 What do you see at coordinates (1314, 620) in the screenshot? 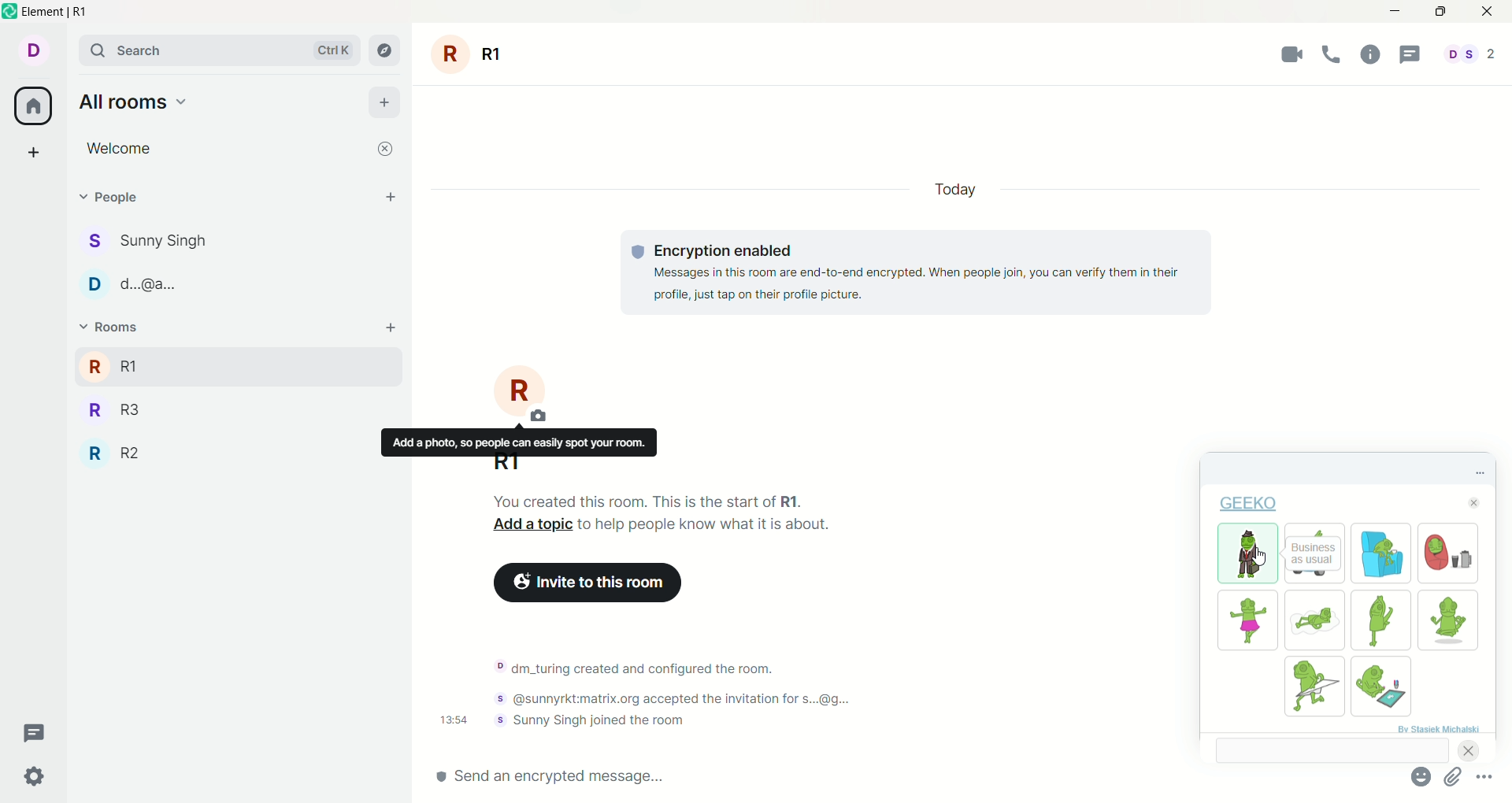
I see `Geeko I'm free sticker` at bounding box center [1314, 620].